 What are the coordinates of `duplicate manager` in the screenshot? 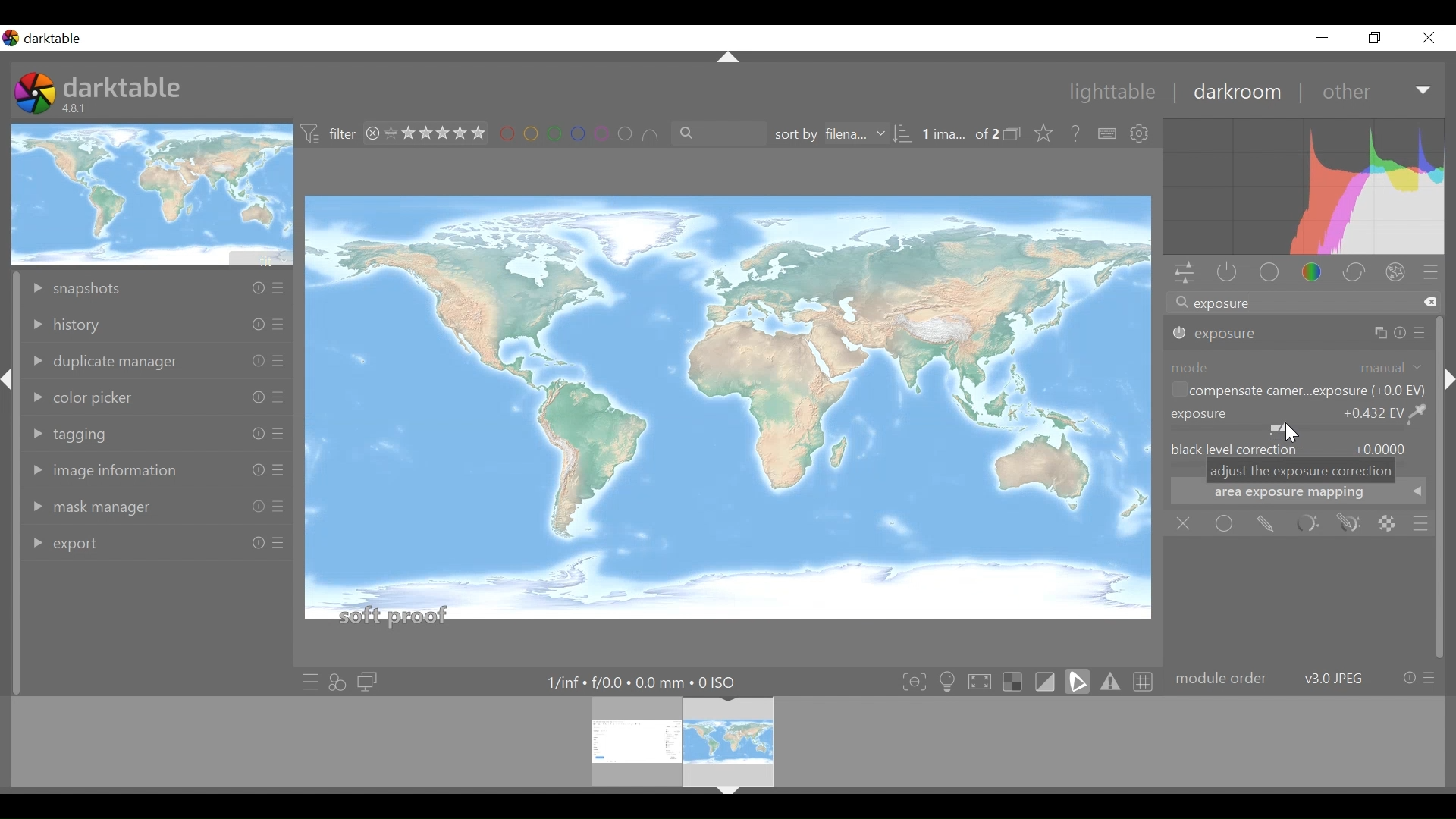 It's located at (104, 361).